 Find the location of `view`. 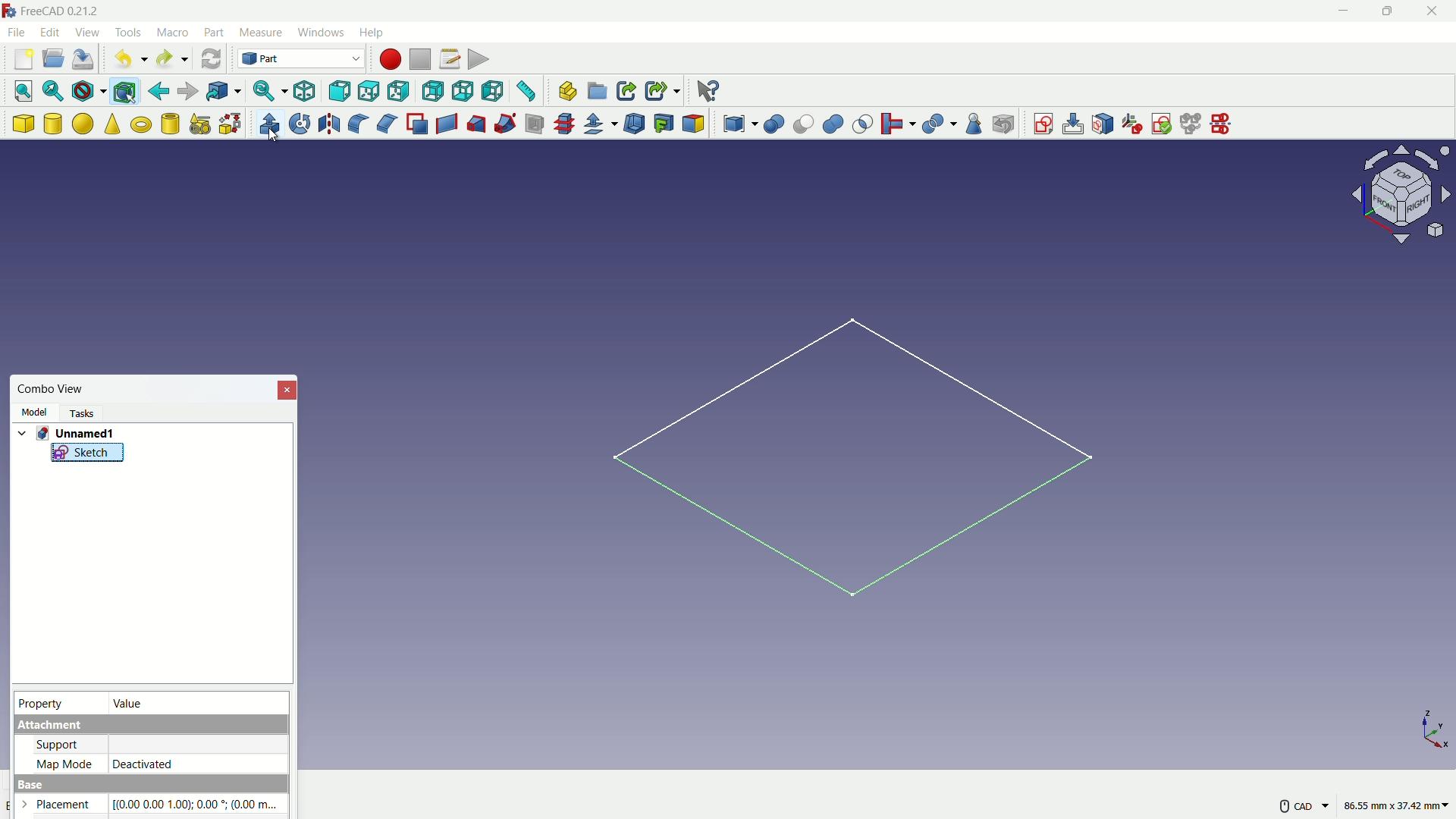

view is located at coordinates (86, 30).